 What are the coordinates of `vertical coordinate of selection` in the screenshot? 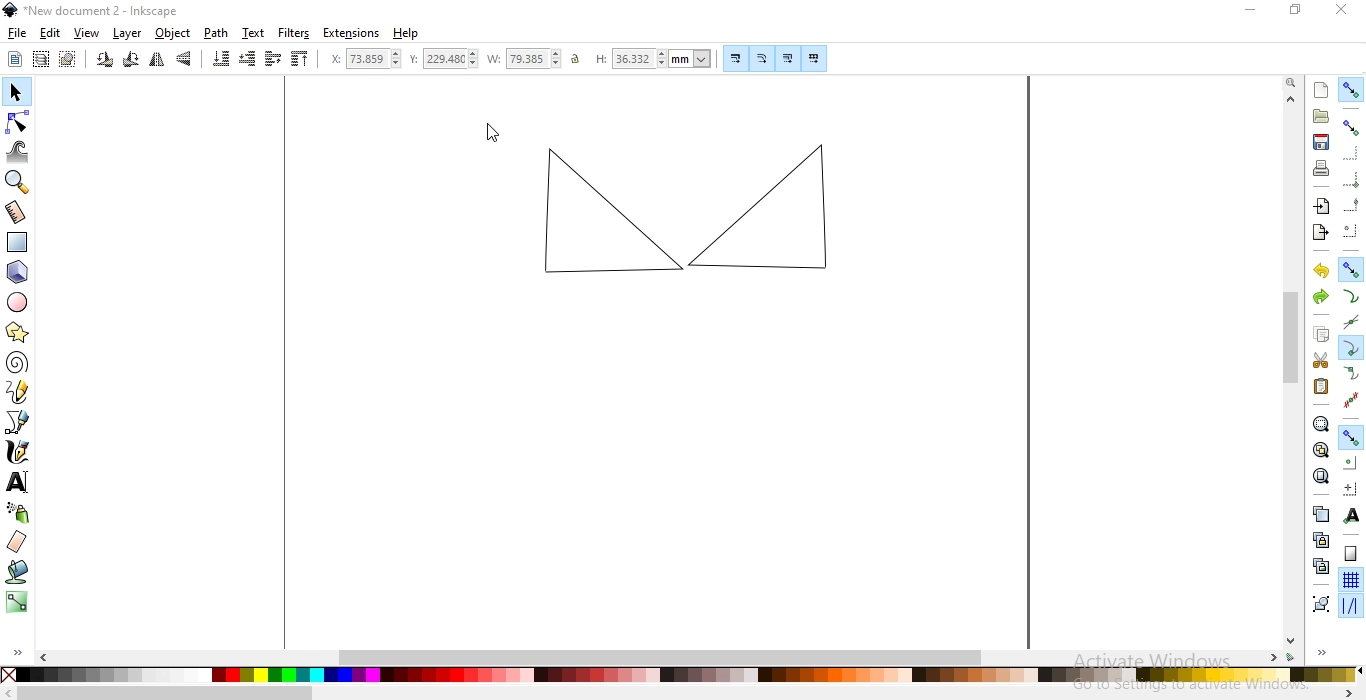 It's located at (442, 59).